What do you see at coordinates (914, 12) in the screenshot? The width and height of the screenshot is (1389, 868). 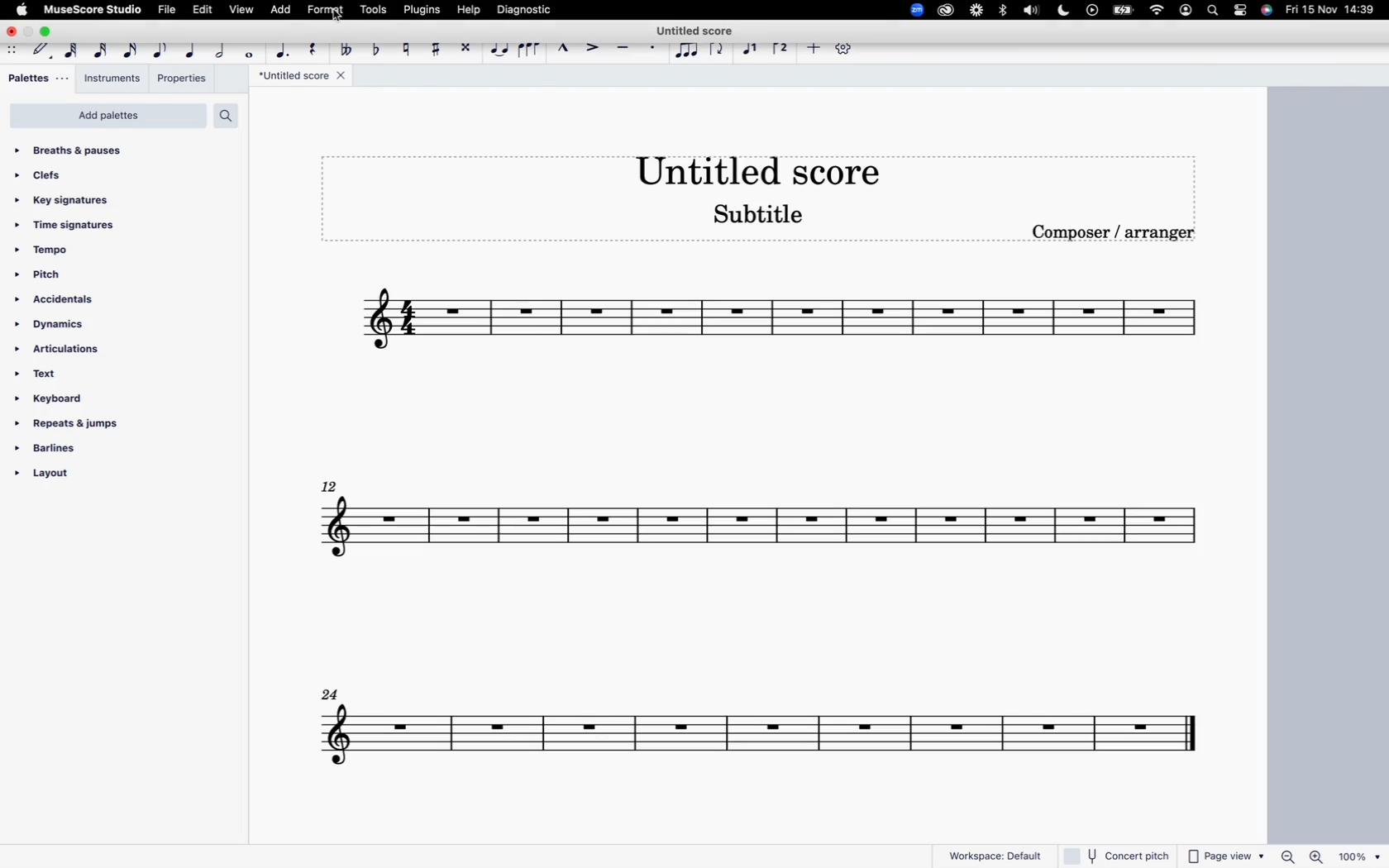 I see `zoom` at bounding box center [914, 12].